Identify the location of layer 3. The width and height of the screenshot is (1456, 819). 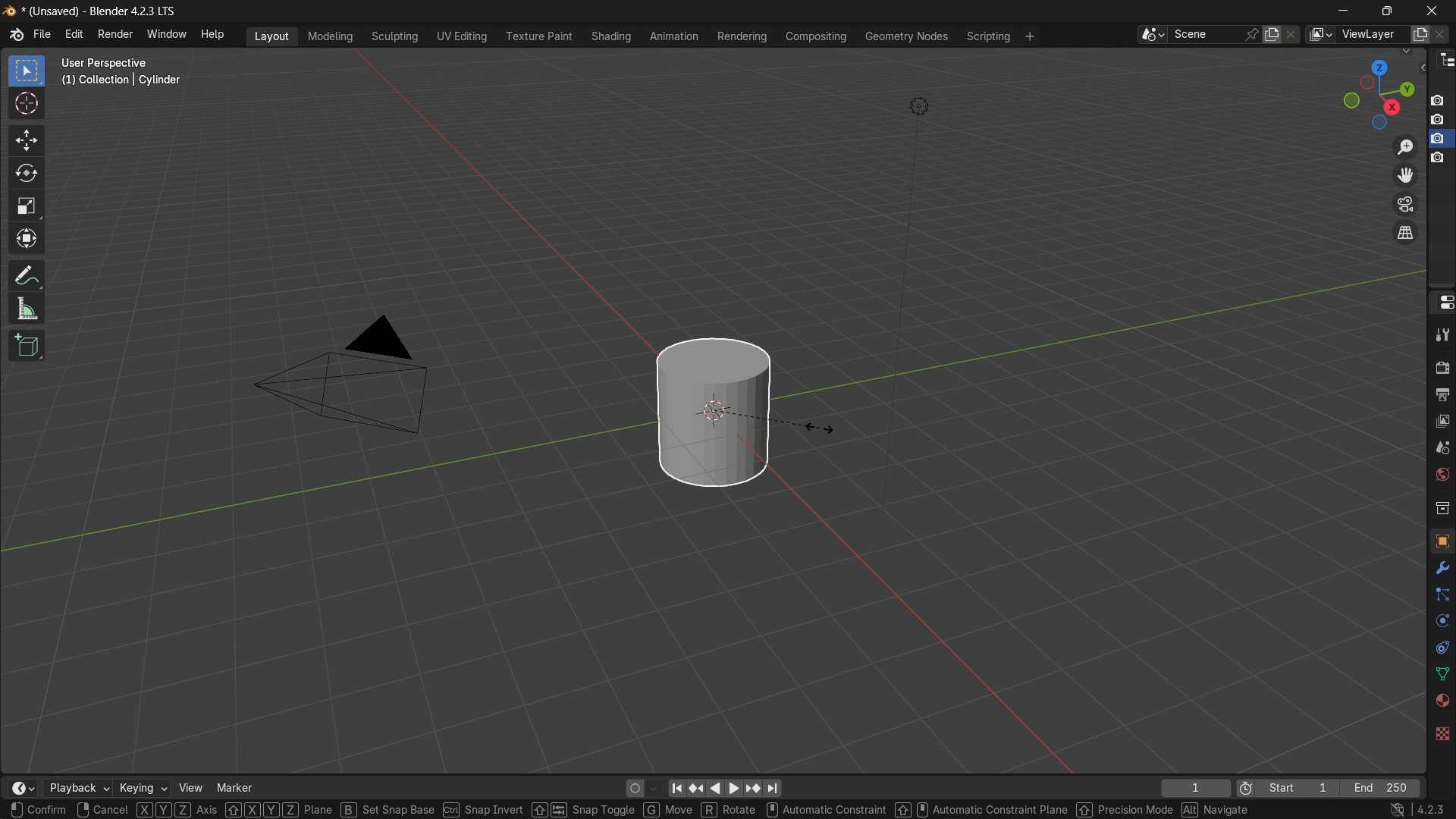
(1439, 138).